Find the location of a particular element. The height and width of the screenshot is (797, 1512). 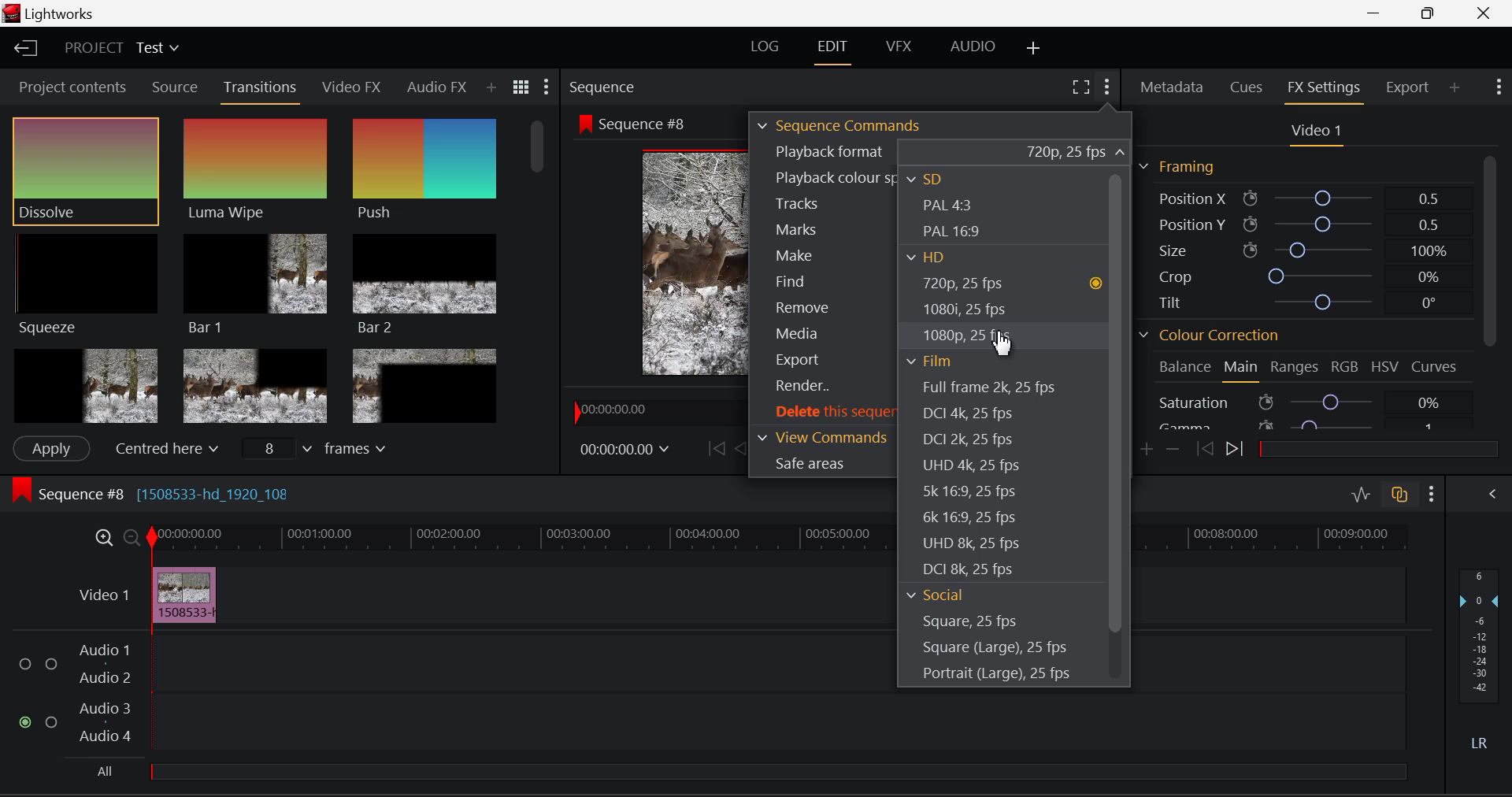

Box 3 is located at coordinates (424, 386).